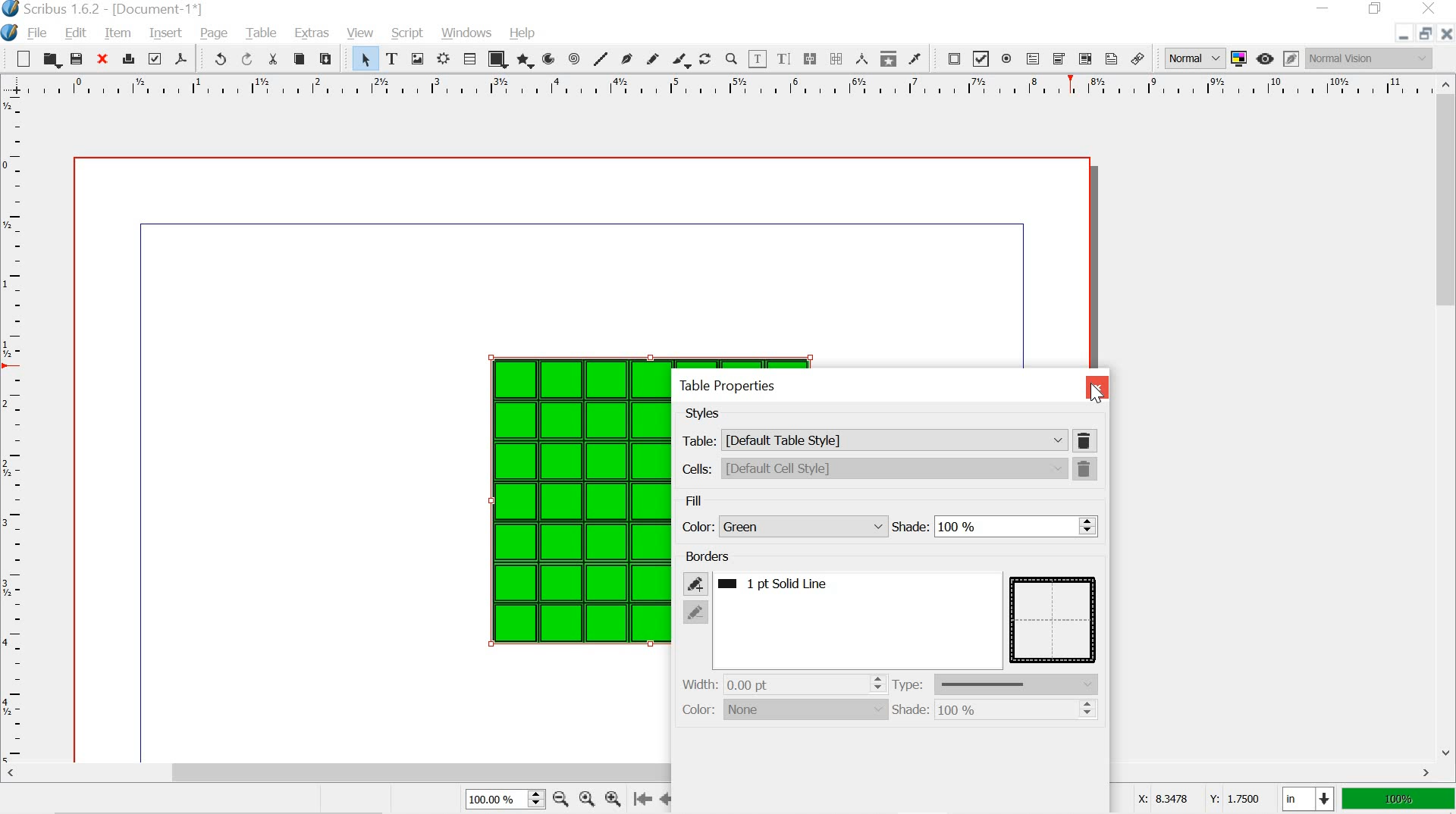 The height and width of the screenshot is (814, 1456). What do you see at coordinates (778, 713) in the screenshot?
I see `color: None` at bounding box center [778, 713].